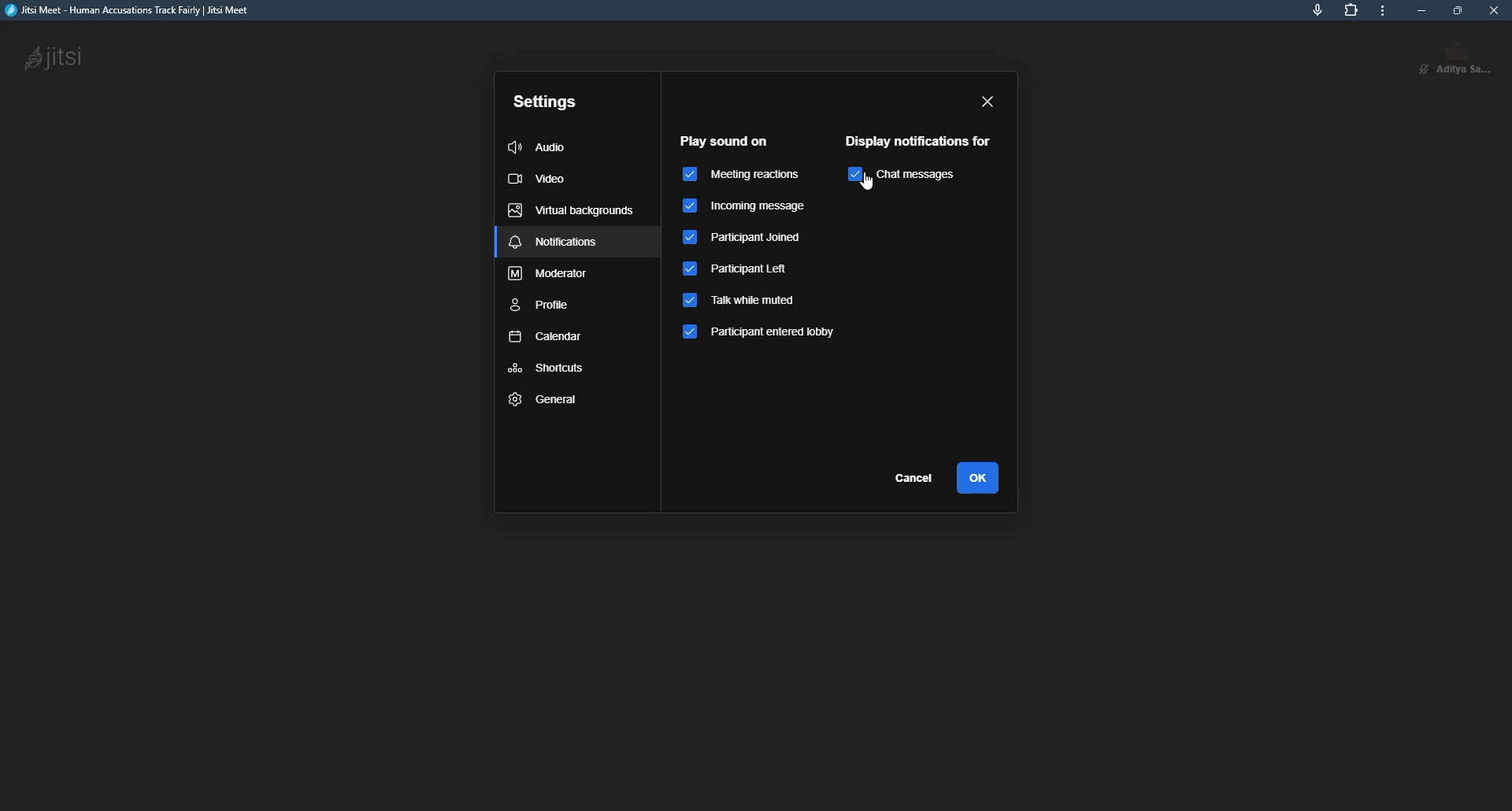 The width and height of the screenshot is (1512, 811). I want to click on audio, so click(536, 148).